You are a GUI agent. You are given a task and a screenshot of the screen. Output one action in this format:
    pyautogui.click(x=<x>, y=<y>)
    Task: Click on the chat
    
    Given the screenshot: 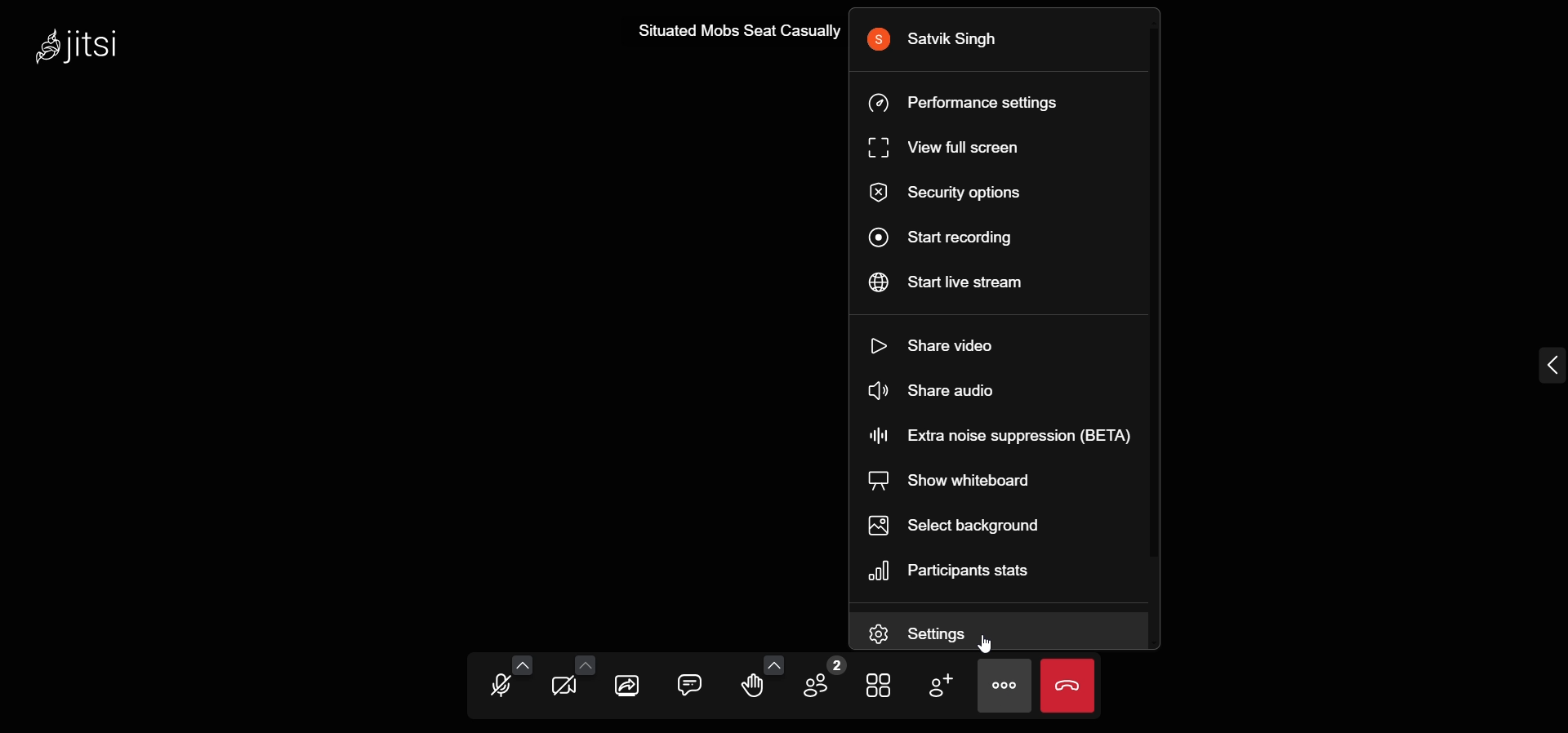 What is the action you would take?
    pyautogui.click(x=689, y=685)
    